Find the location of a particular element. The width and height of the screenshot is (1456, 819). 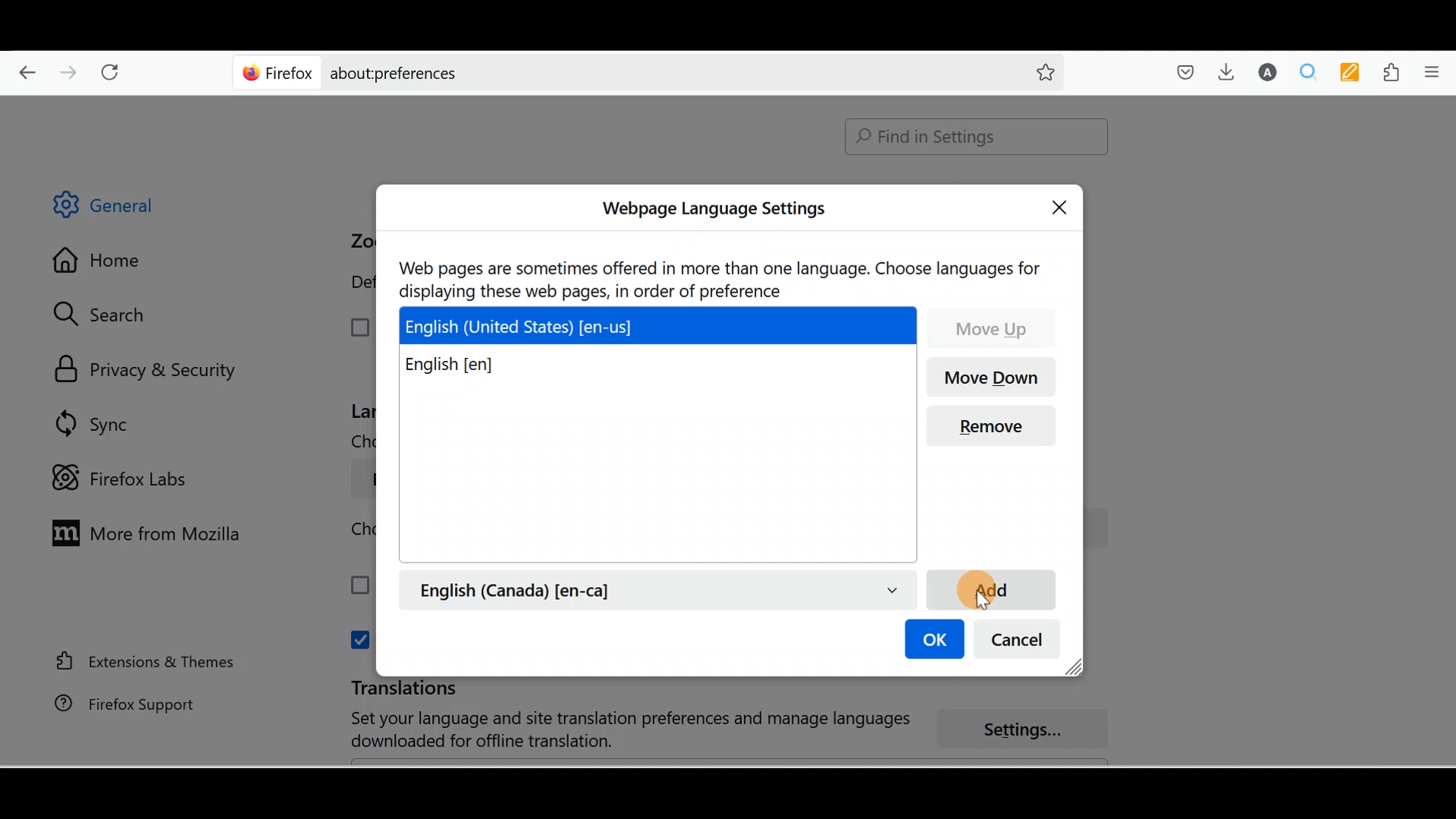

Reload current page is located at coordinates (115, 69).